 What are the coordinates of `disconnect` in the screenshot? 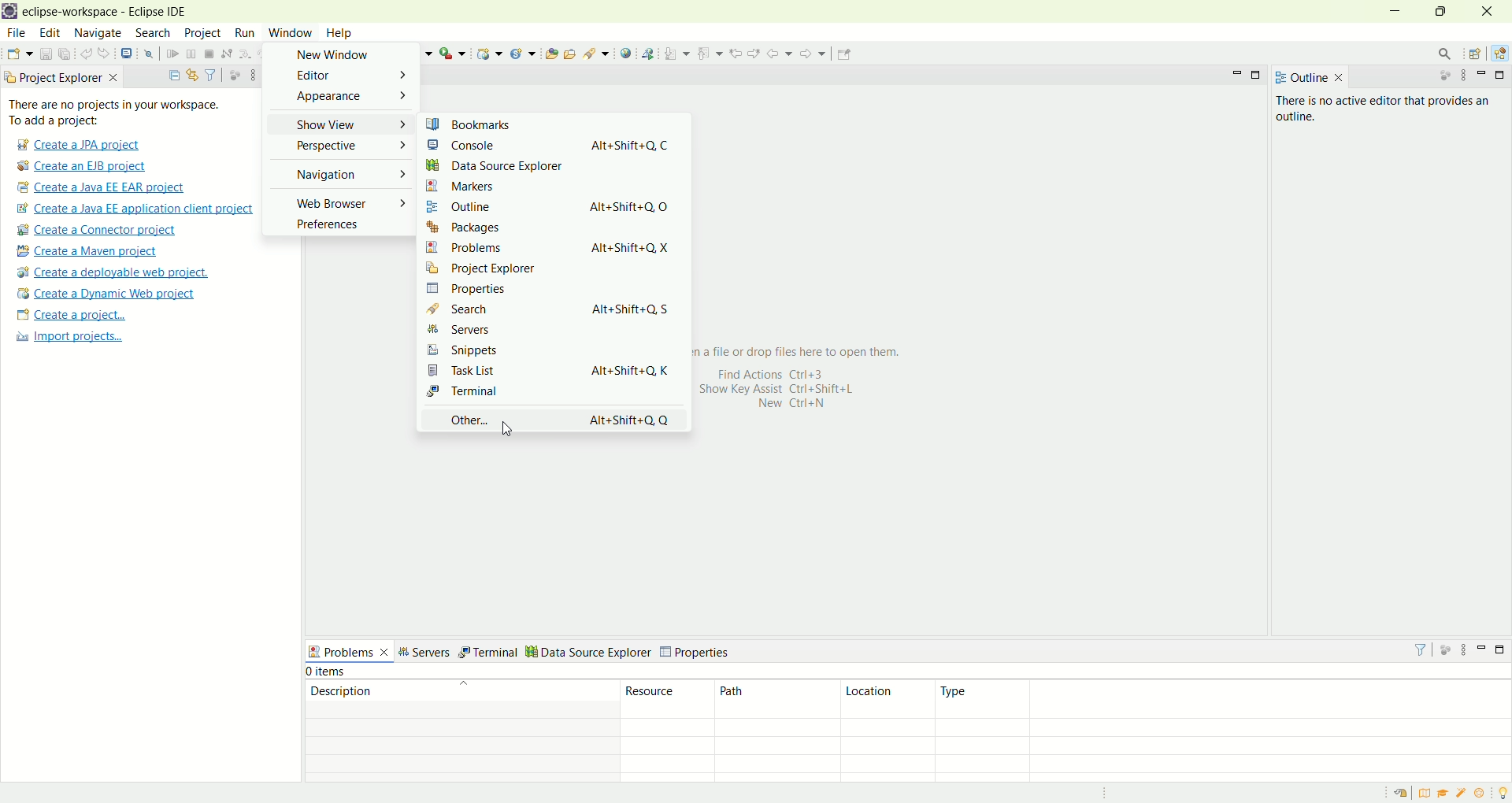 It's located at (225, 53).